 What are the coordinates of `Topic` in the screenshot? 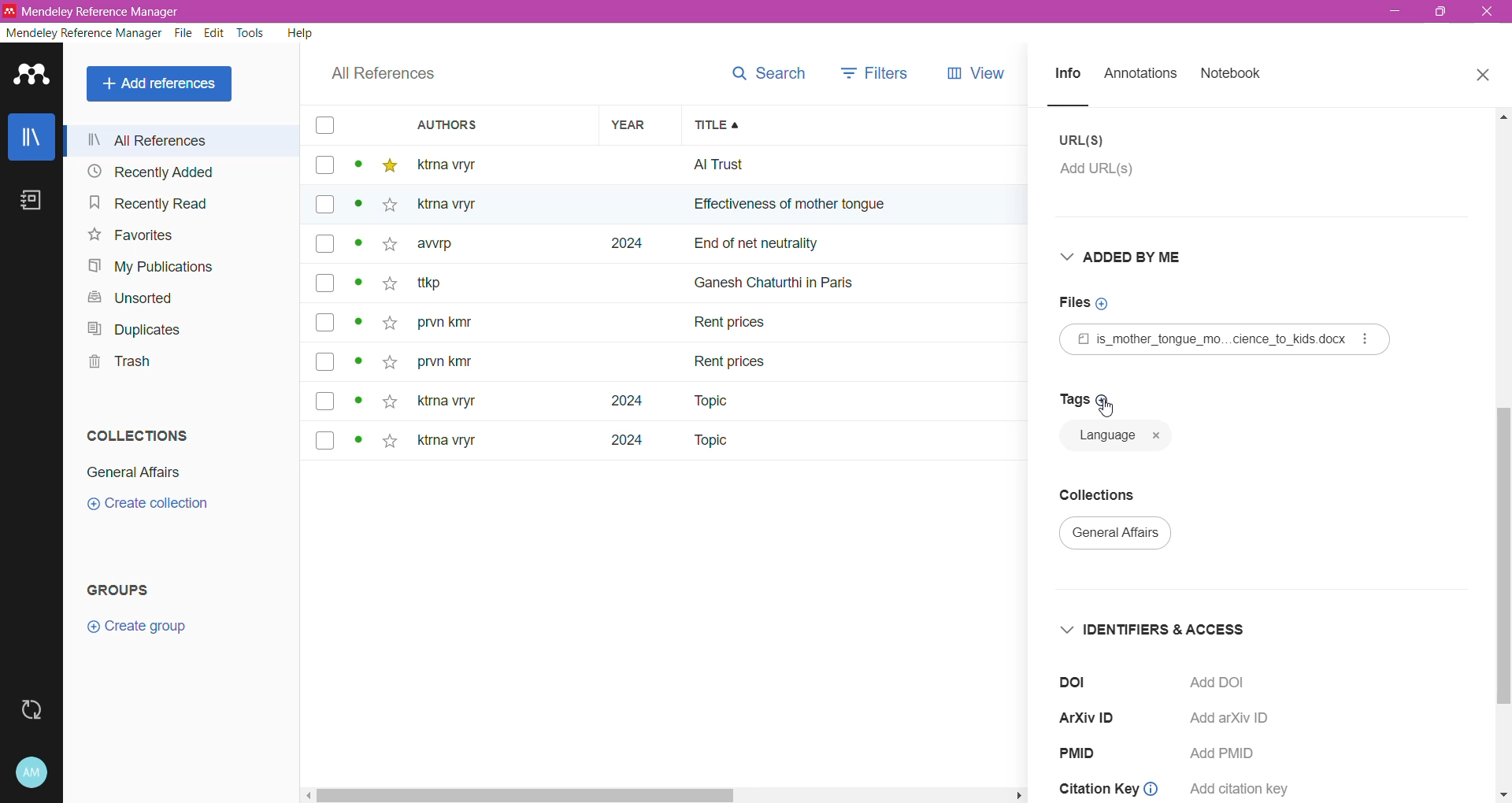 It's located at (700, 401).